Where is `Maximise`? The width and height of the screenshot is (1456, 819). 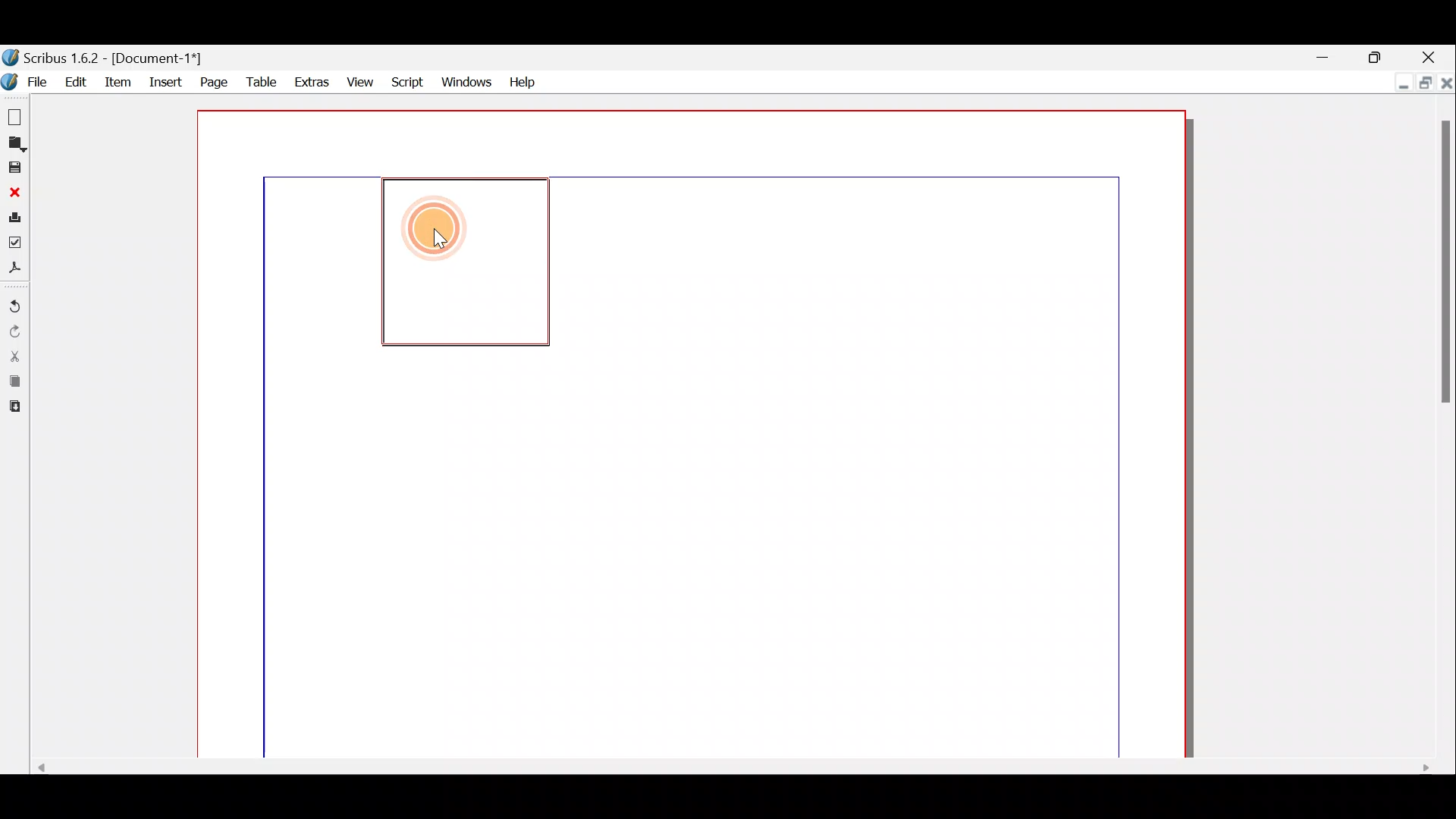
Maximise is located at coordinates (1376, 55).